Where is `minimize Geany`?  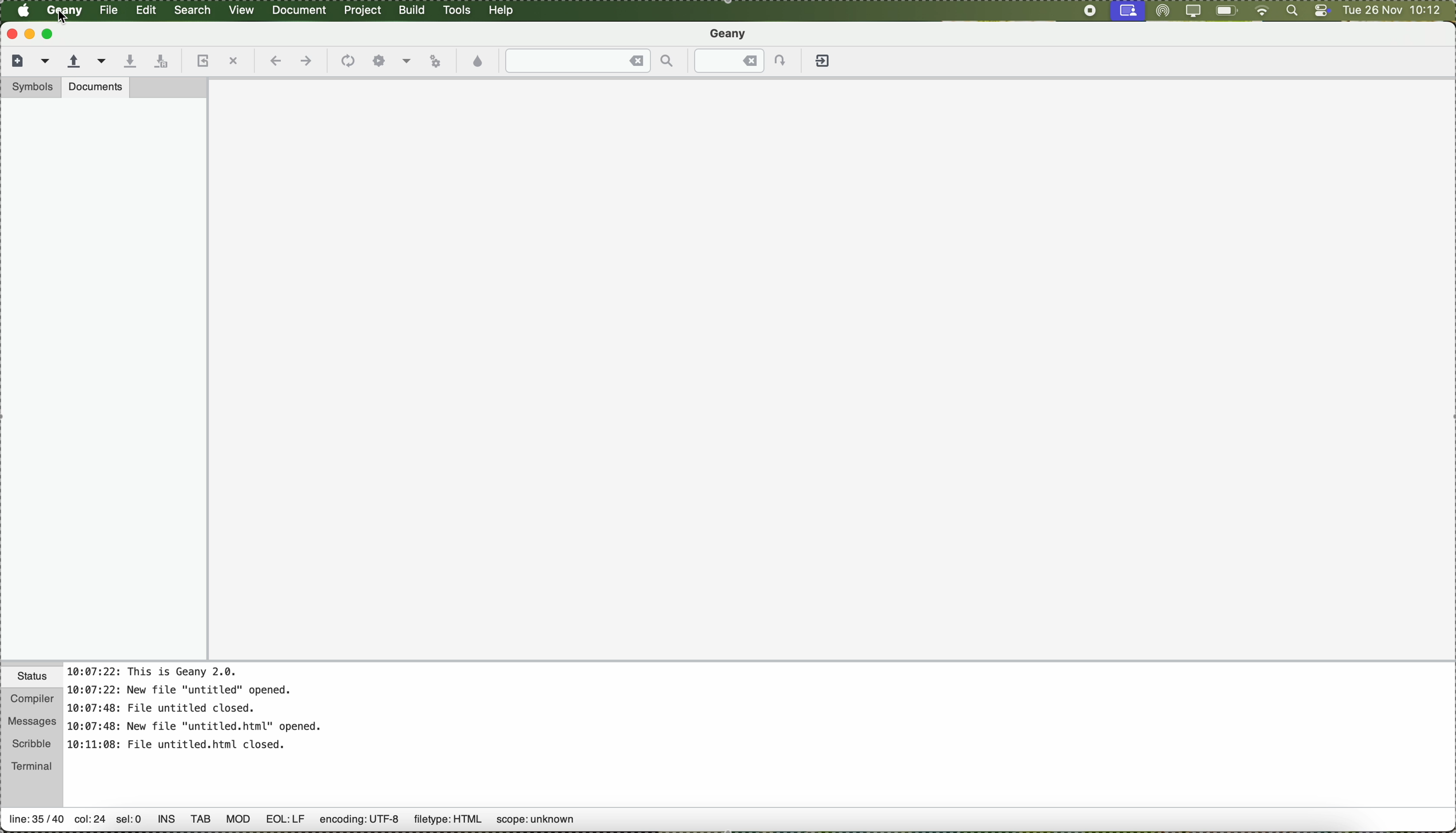 minimize Geany is located at coordinates (30, 35).